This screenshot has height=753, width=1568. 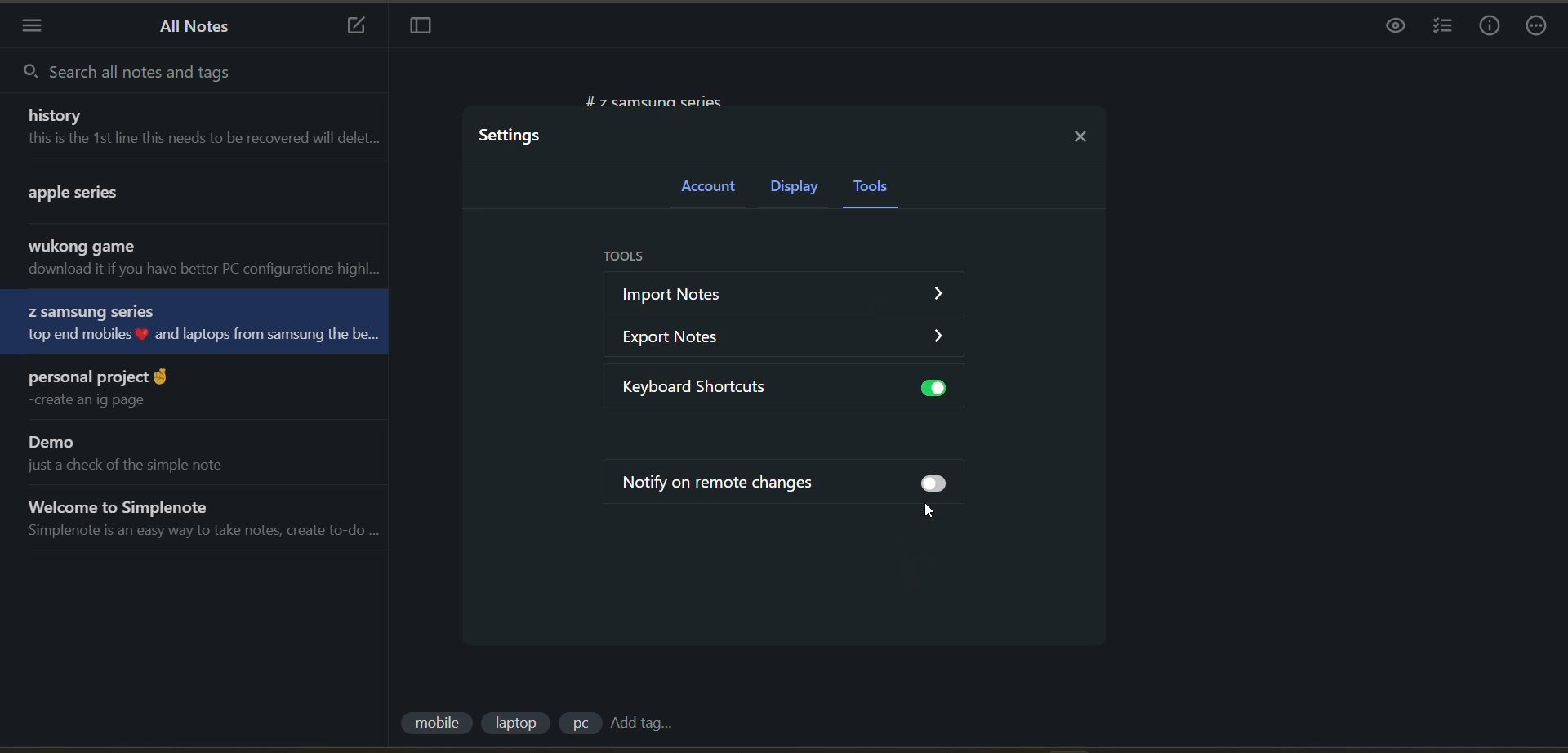 I want to click on tag 1, so click(x=435, y=725).